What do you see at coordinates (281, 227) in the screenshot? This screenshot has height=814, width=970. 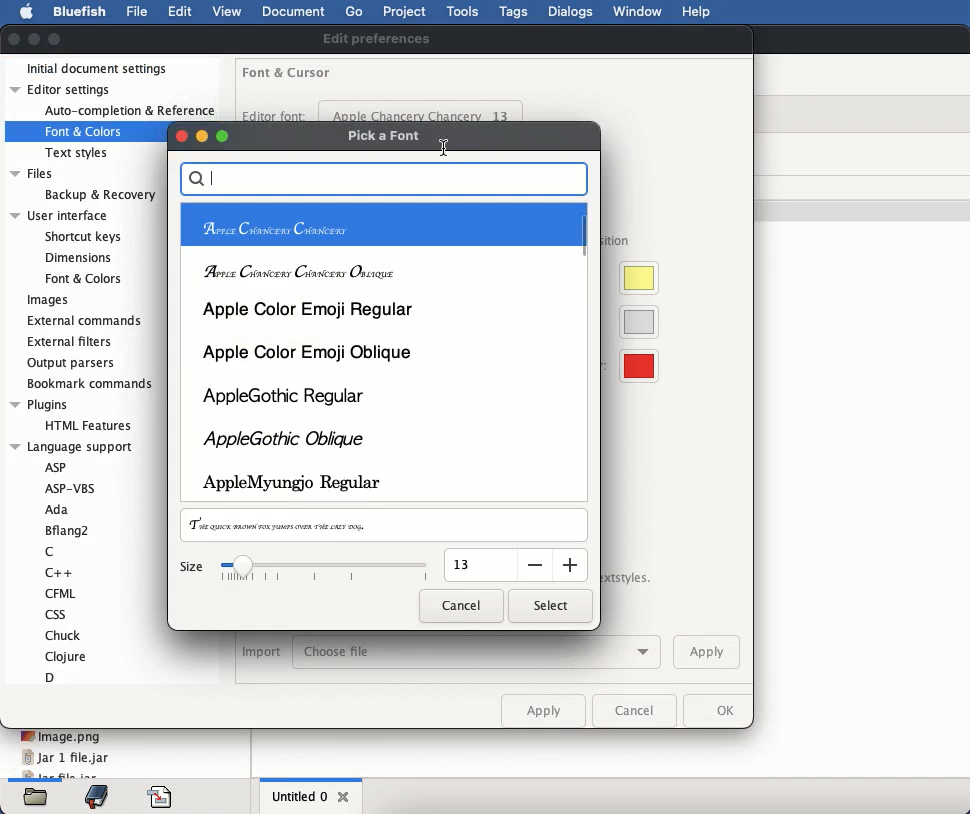 I see `apple` at bounding box center [281, 227].